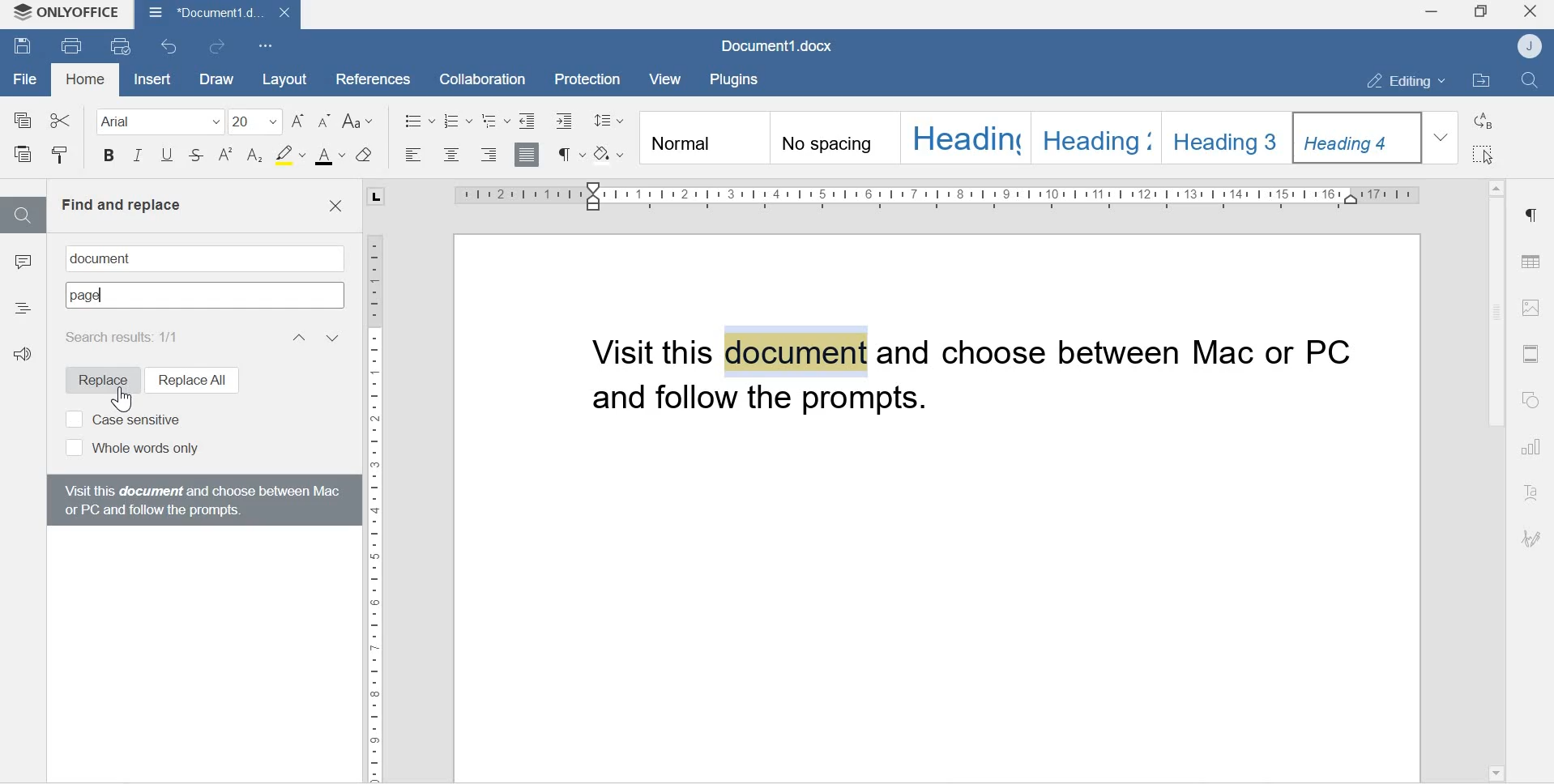 The image size is (1554, 784). What do you see at coordinates (122, 418) in the screenshot?
I see `Case sensitive` at bounding box center [122, 418].